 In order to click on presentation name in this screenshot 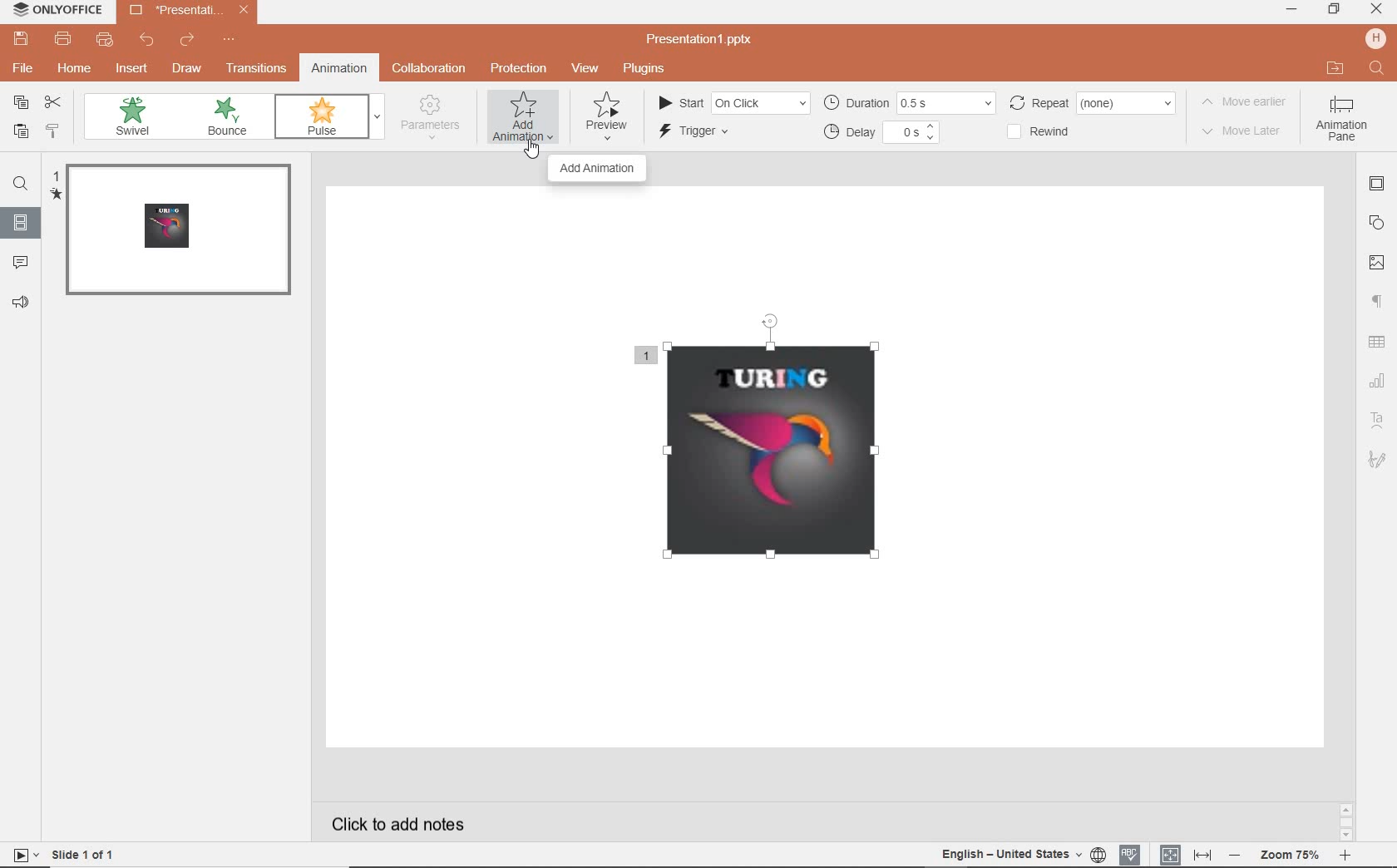, I will do `click(701, 41)`.